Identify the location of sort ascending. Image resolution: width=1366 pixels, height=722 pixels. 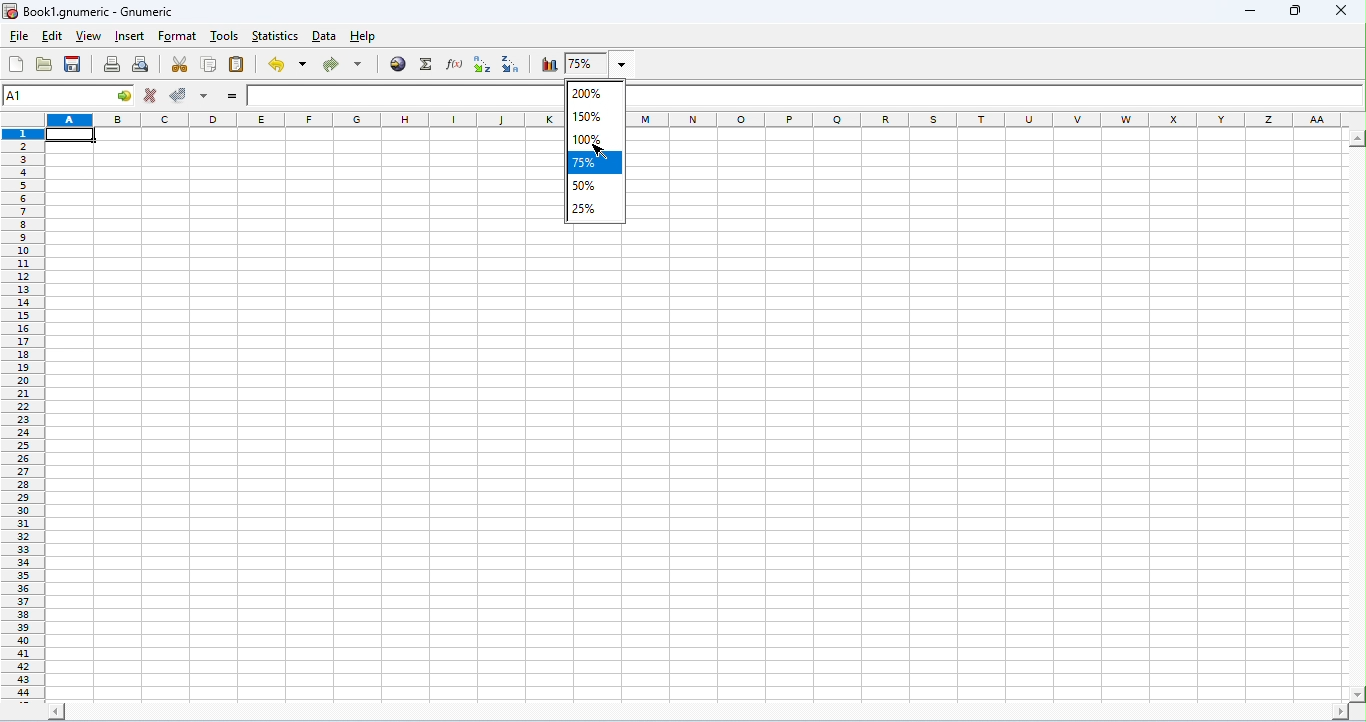
(484, 65).